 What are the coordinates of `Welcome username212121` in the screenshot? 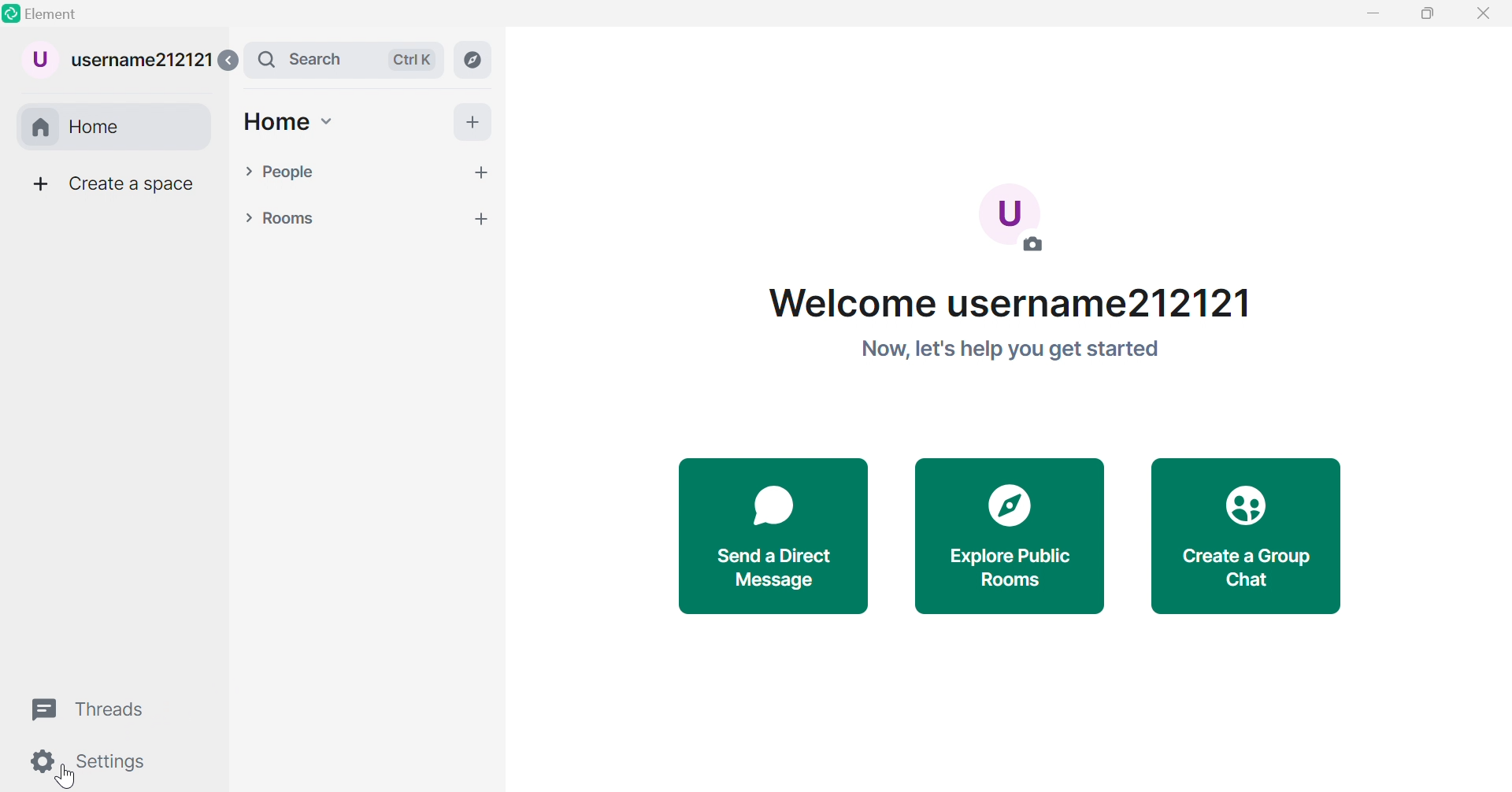 It's located at (1010, 303).